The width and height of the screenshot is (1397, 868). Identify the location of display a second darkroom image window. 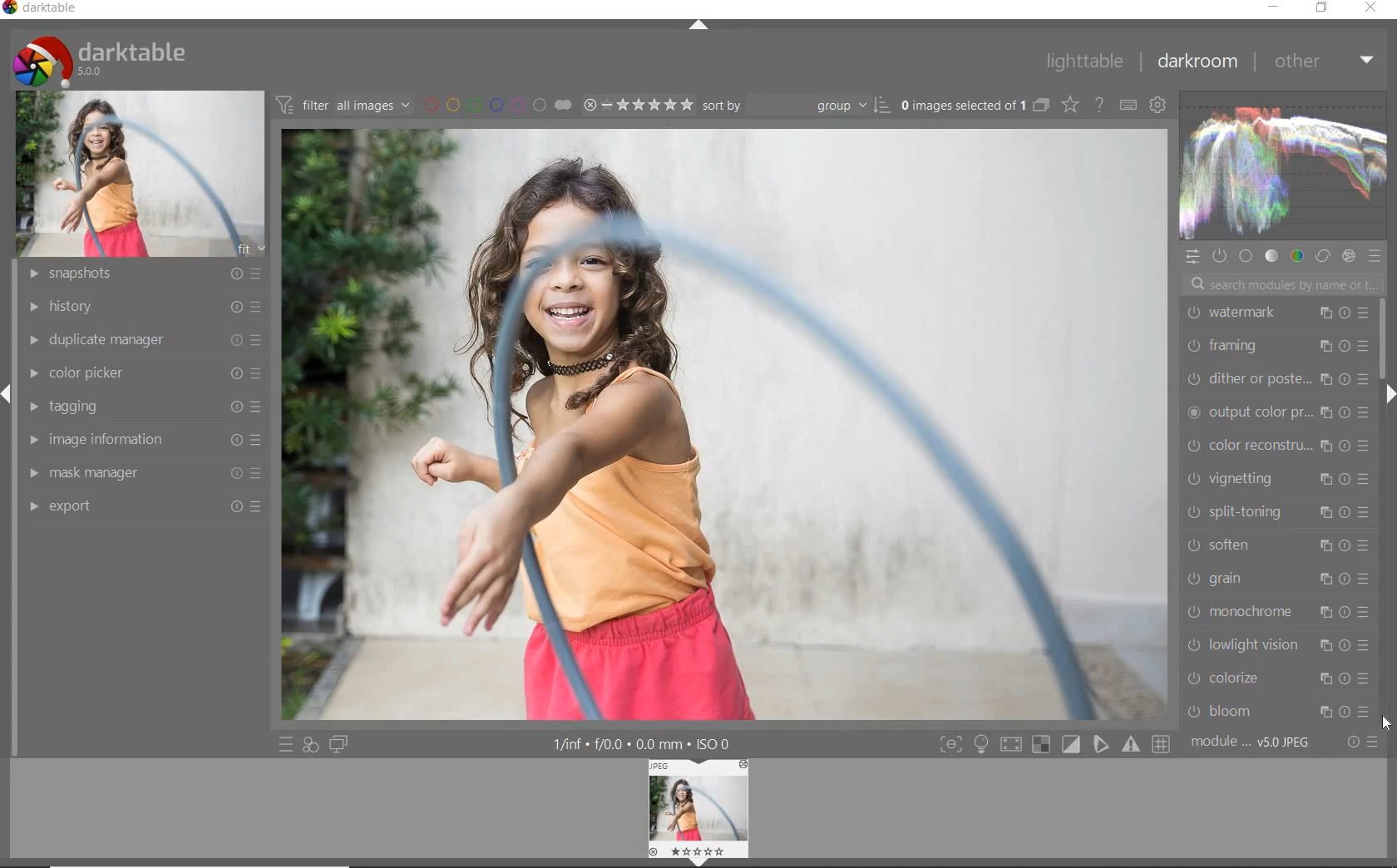
(342, 744).